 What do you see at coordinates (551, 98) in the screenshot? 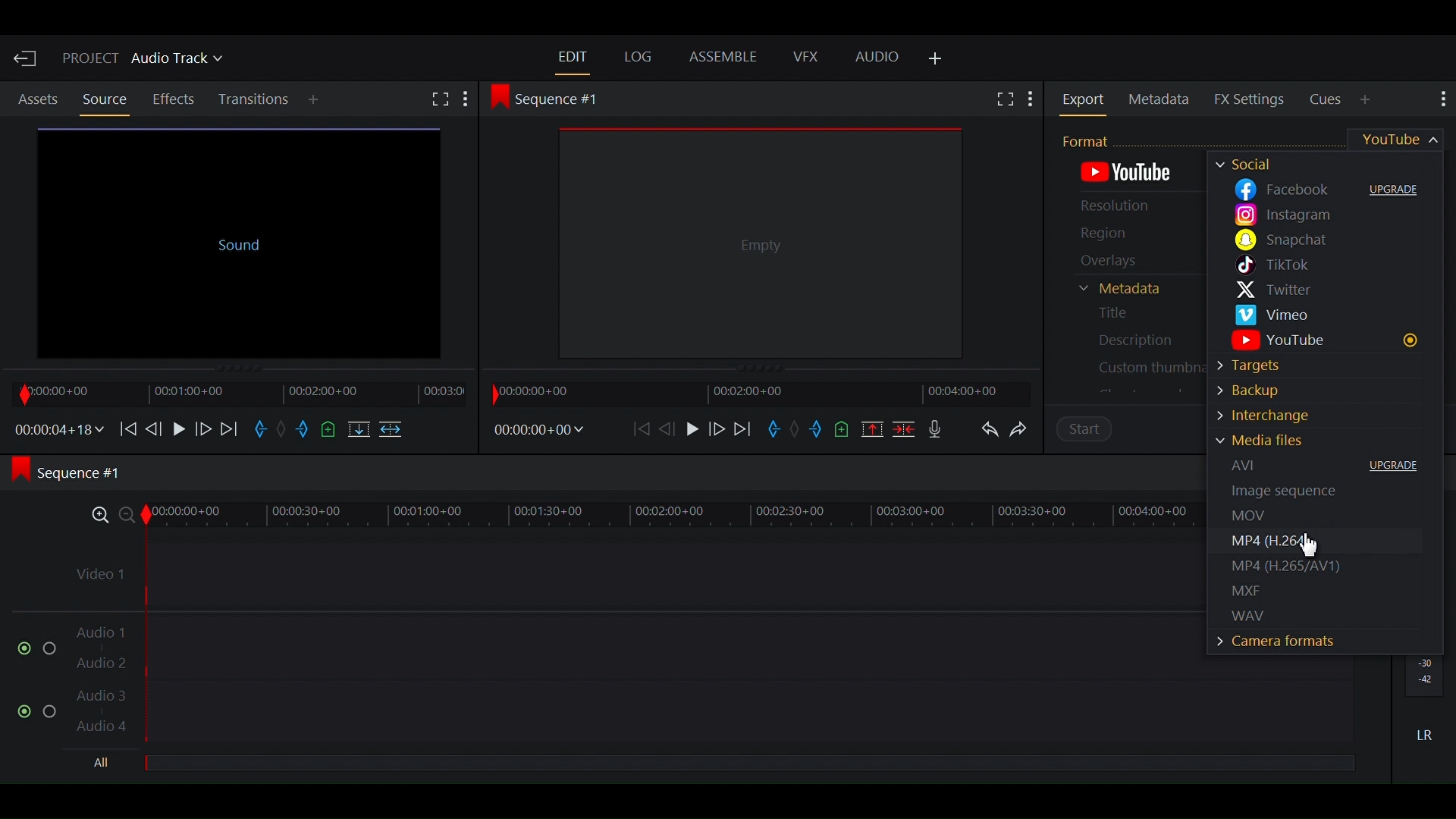
I see `Sequence #1` at bounding box center [551, 98].